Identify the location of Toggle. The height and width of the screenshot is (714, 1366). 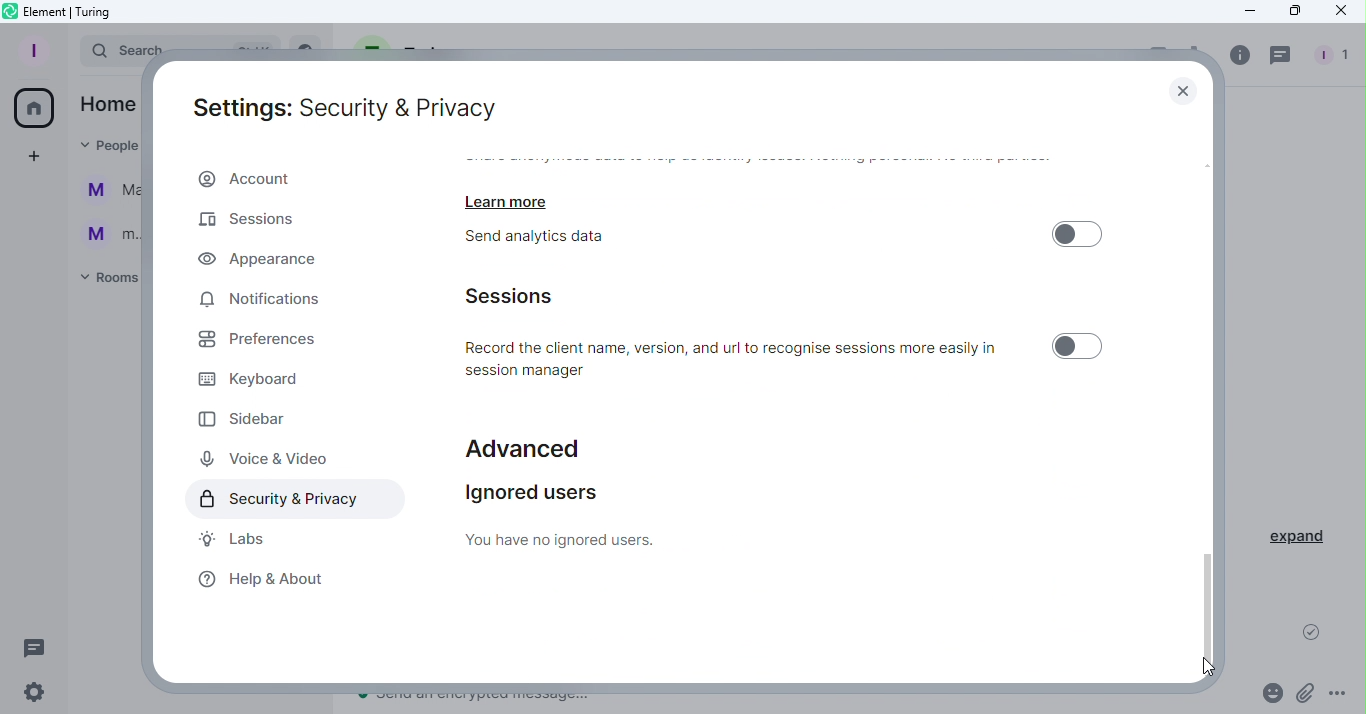
(1079, 232).